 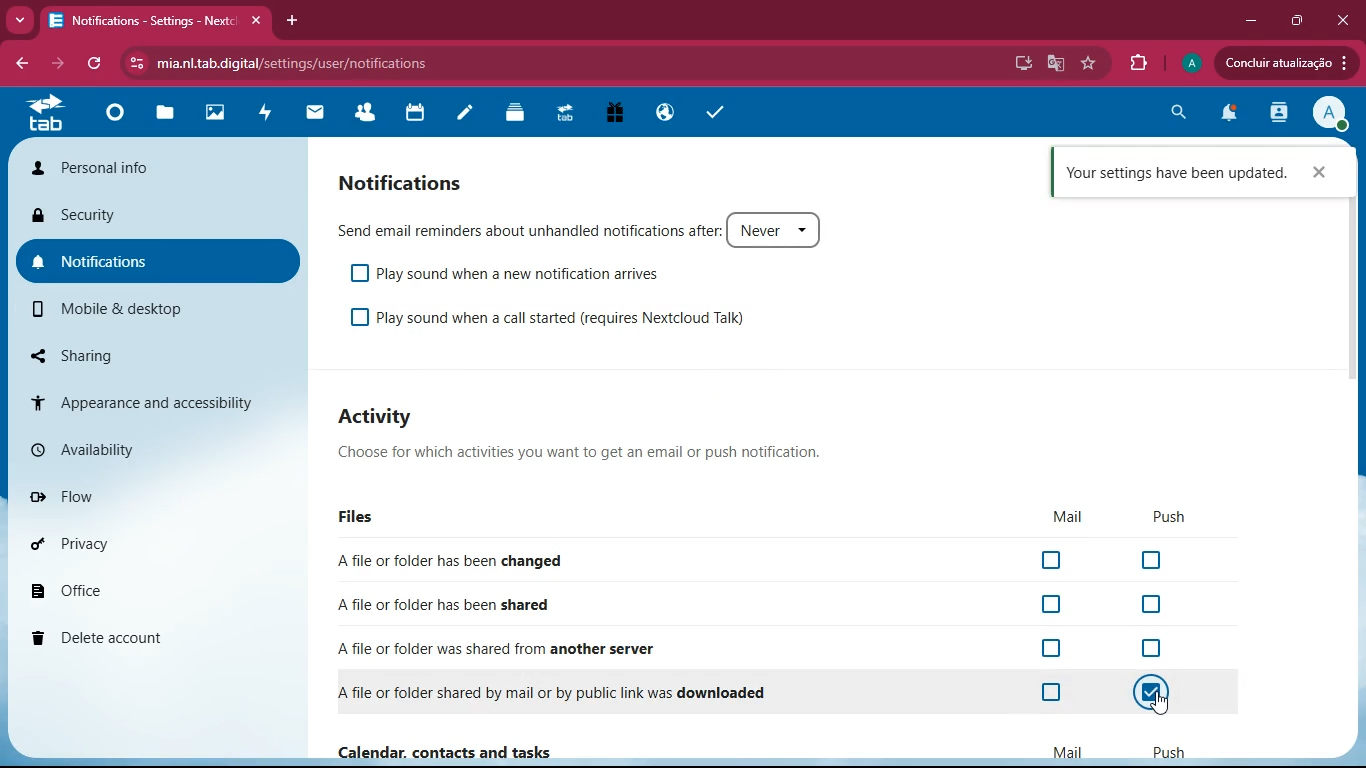 What do you see at coordinates (55, 64) in the screenshot?
I see `forward` at bounding box center [55, 64].